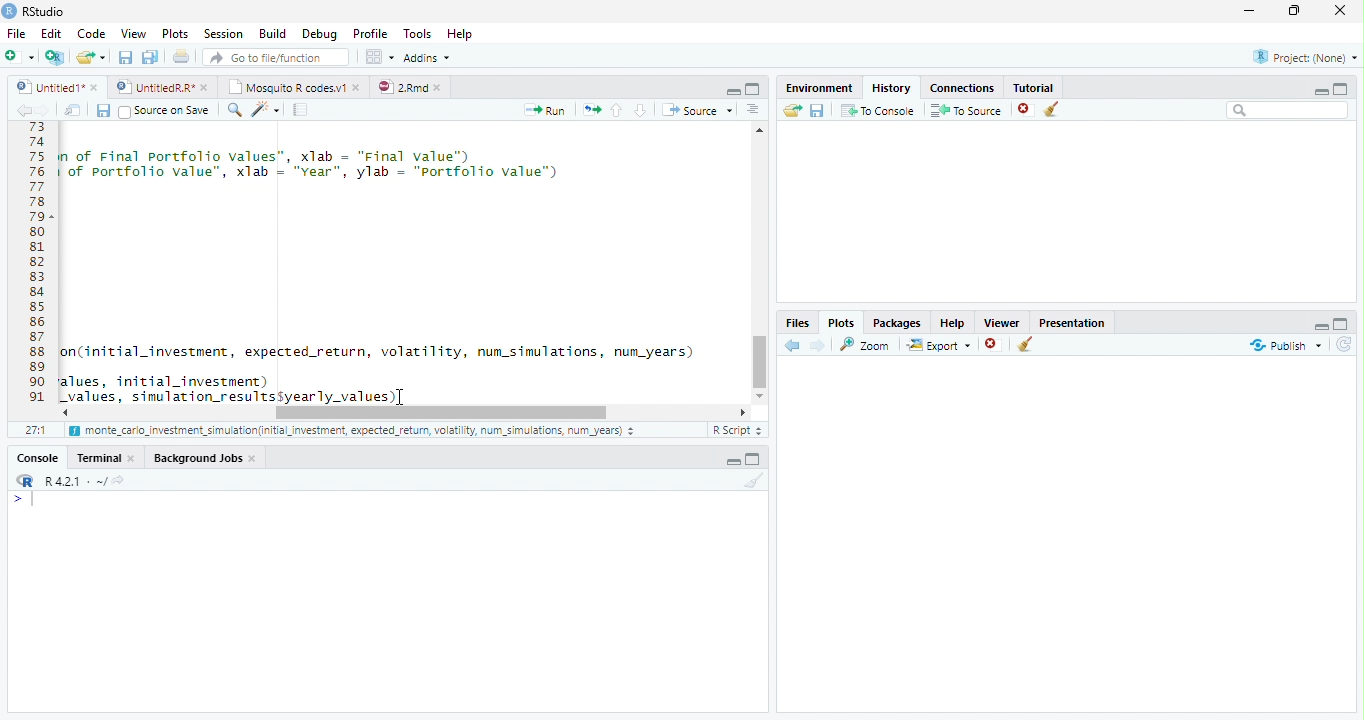  What do you see at coordinates (73, 110) in the screenshot?
I see `Open in new window` at bounding box center [73, 110].